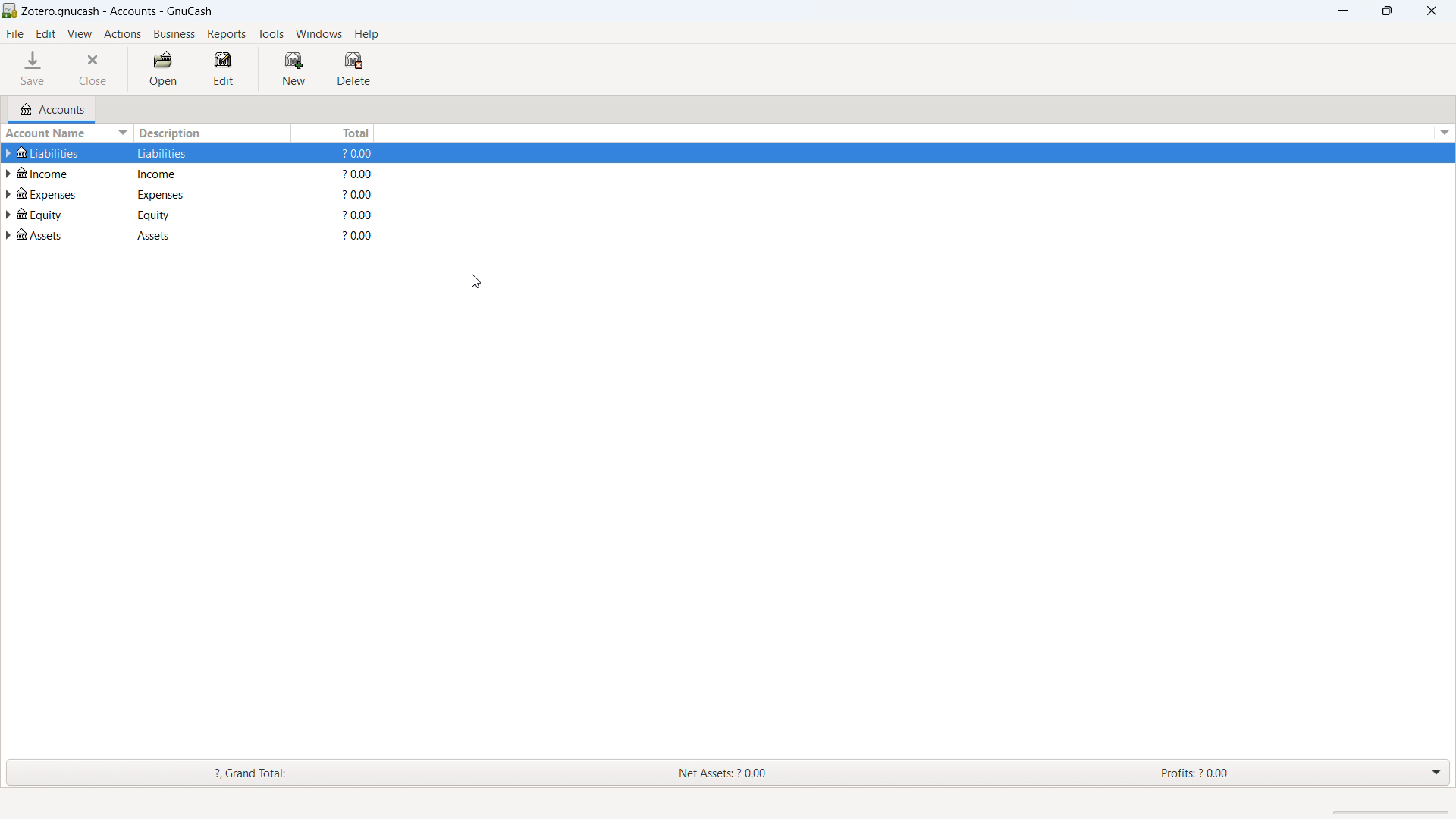  Describe the element at coordinates (319, 33) in the screenshot. I see `windows` at that location.